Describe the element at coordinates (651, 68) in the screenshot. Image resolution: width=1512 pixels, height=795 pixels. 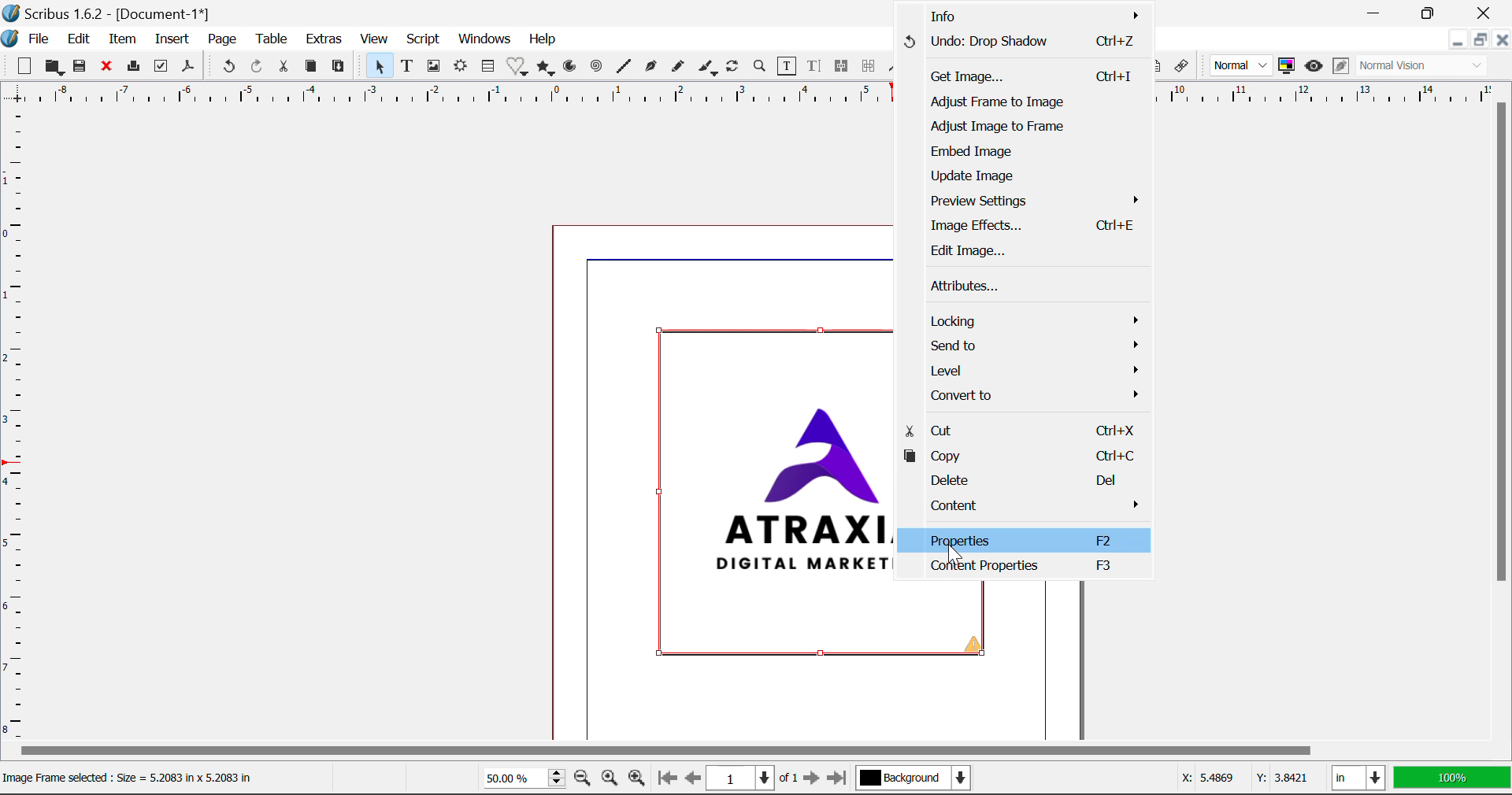
I see `Bezier Curve` at that location.